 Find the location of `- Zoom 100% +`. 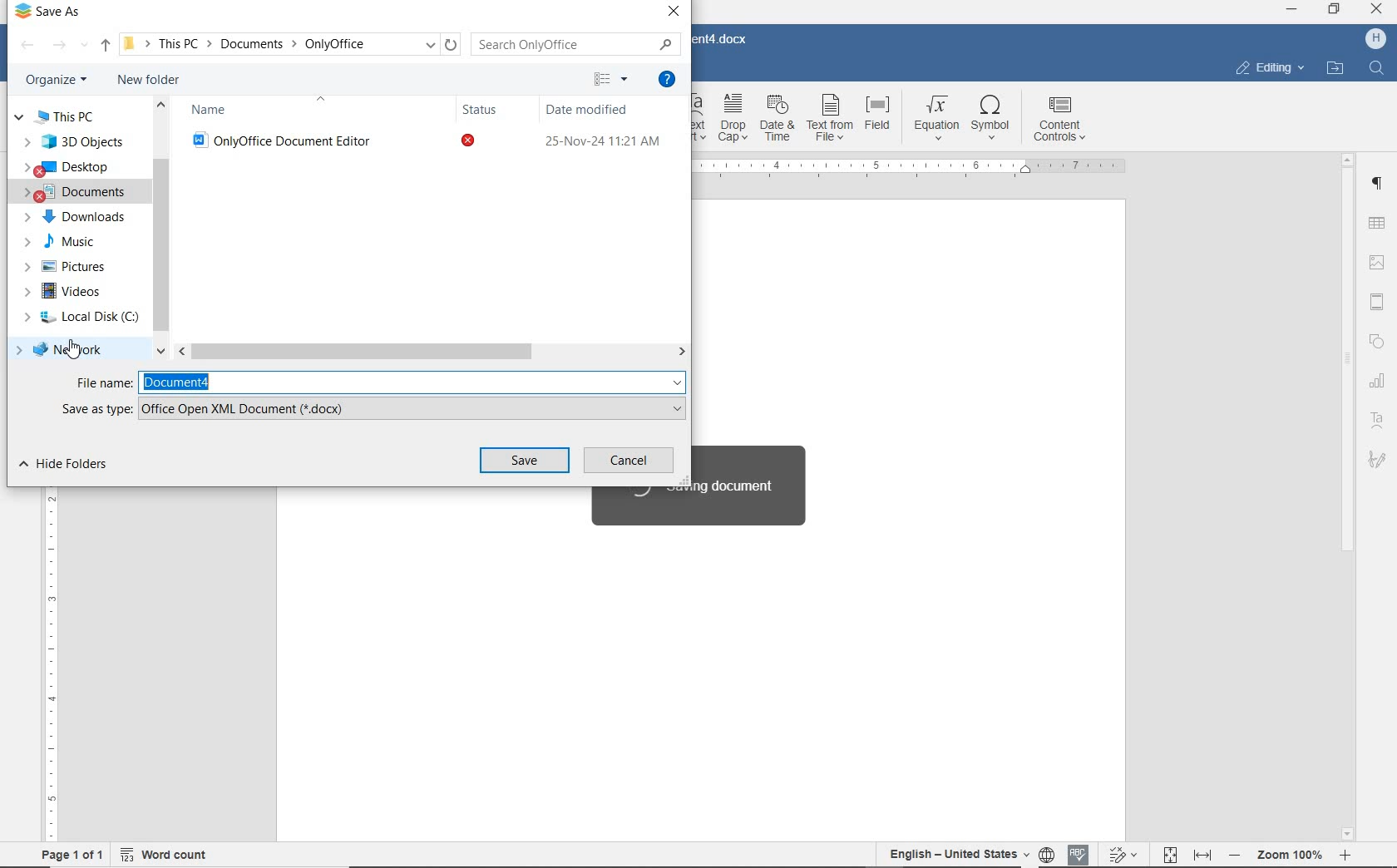

- Zoom 100% + is located at coordinates (1292, 855).